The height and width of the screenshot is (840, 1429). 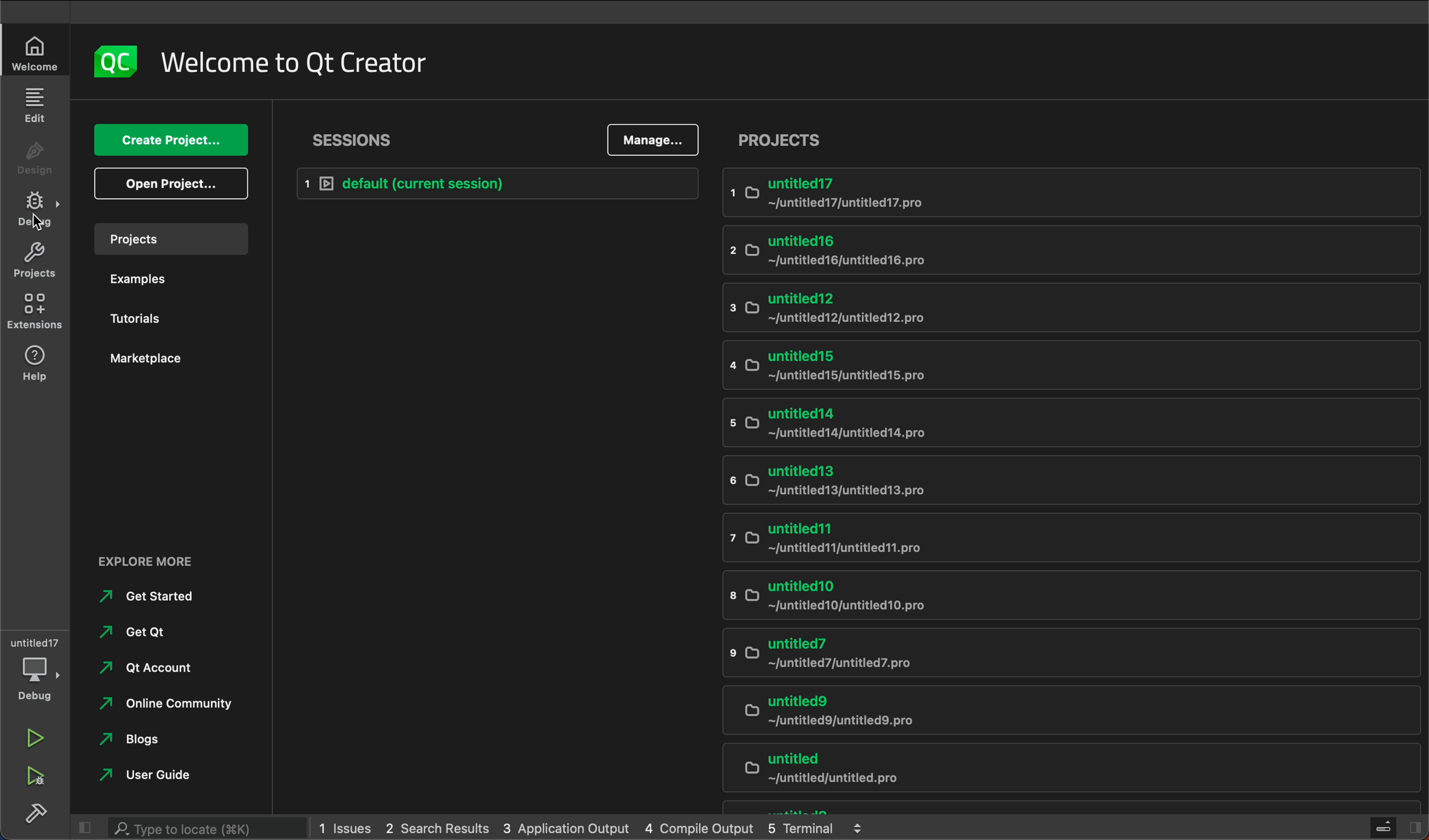 I want to click on help, so click(x=43, y=369).